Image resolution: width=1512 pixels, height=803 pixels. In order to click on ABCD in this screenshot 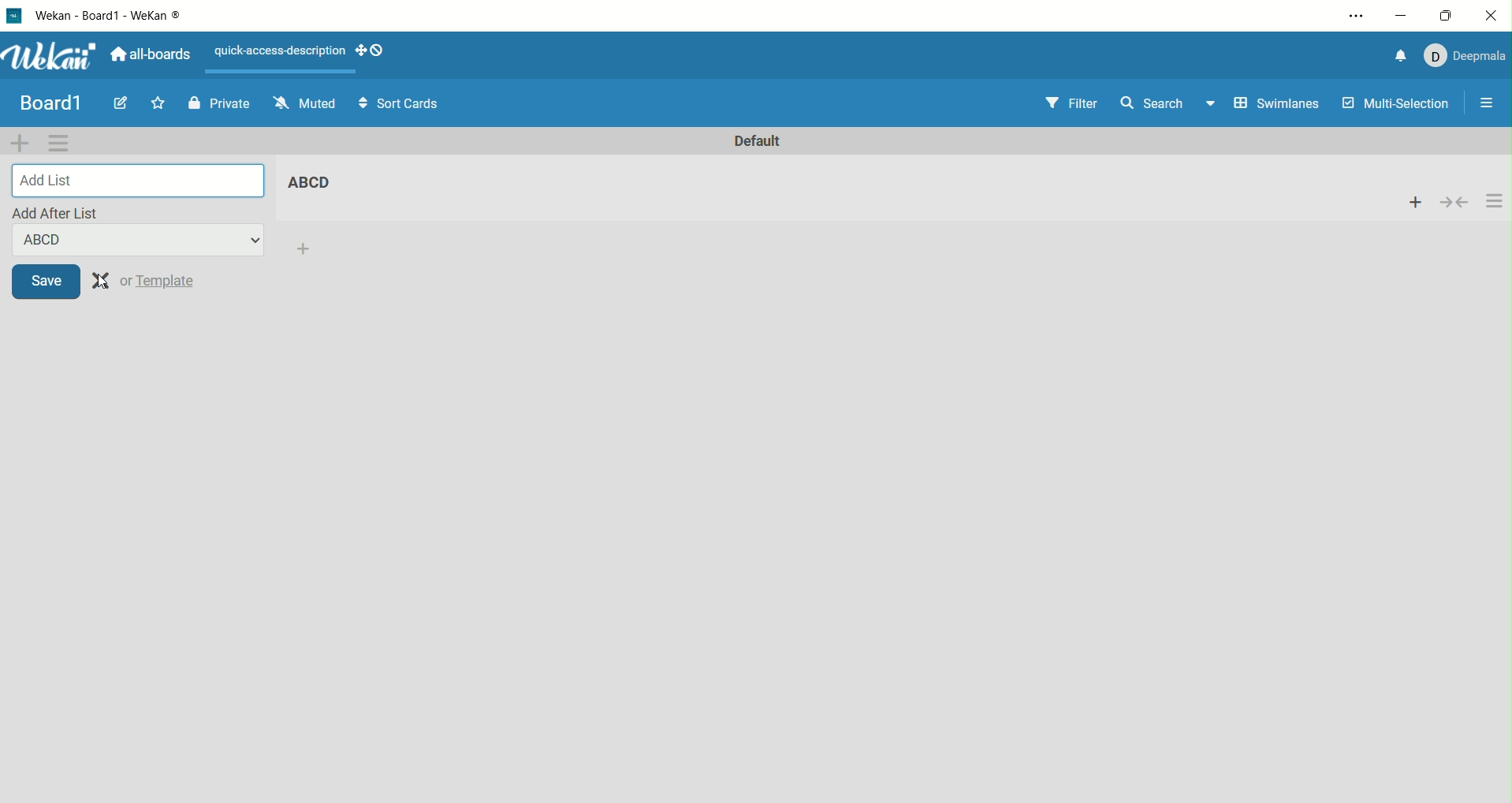, I will do `click(139, 241)`.